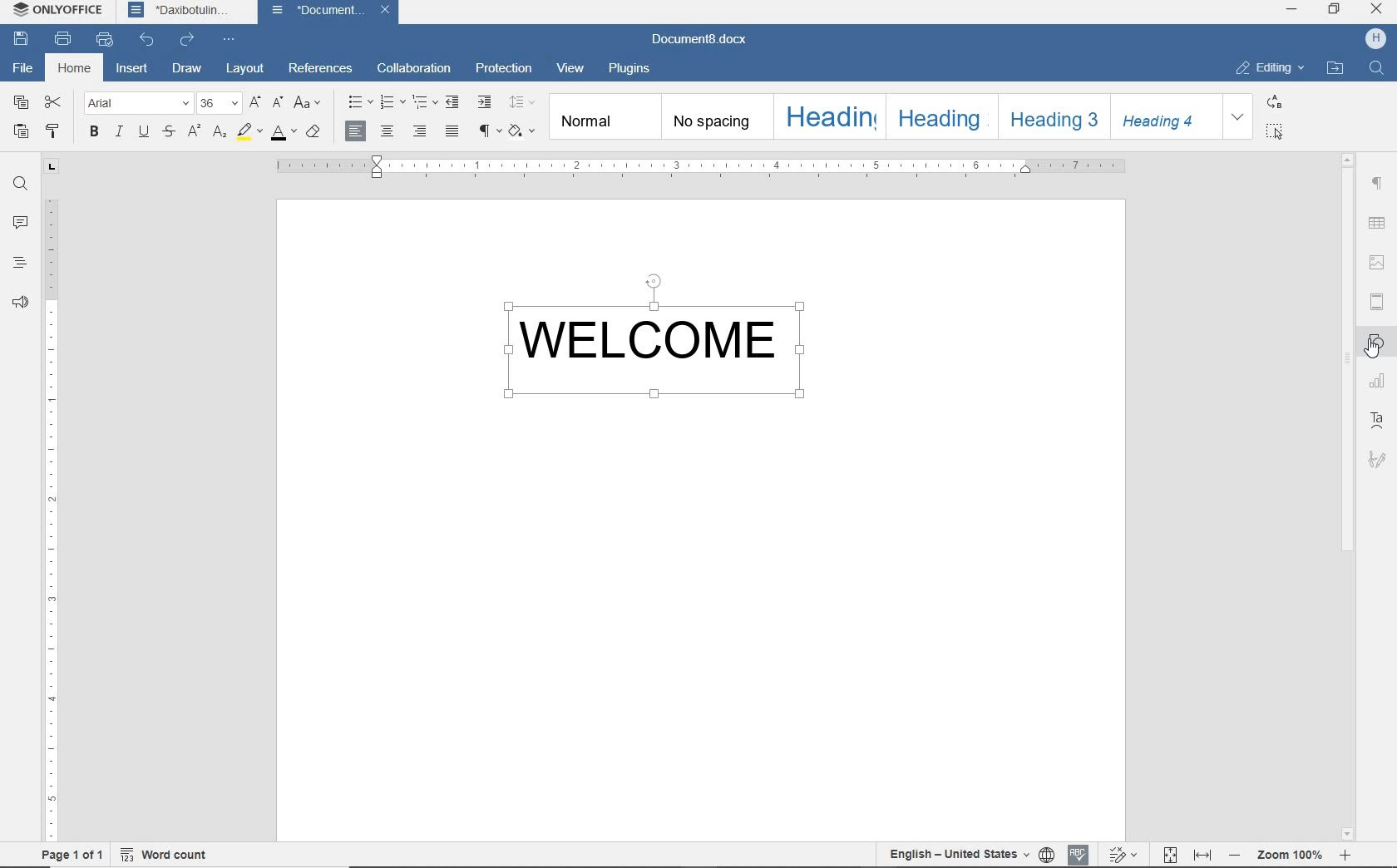 The image size is (1397, 868). What do you see at coordinates (22, 262) in the screenshot?
I see `HEADINGS` at bounding box center [22, 262].